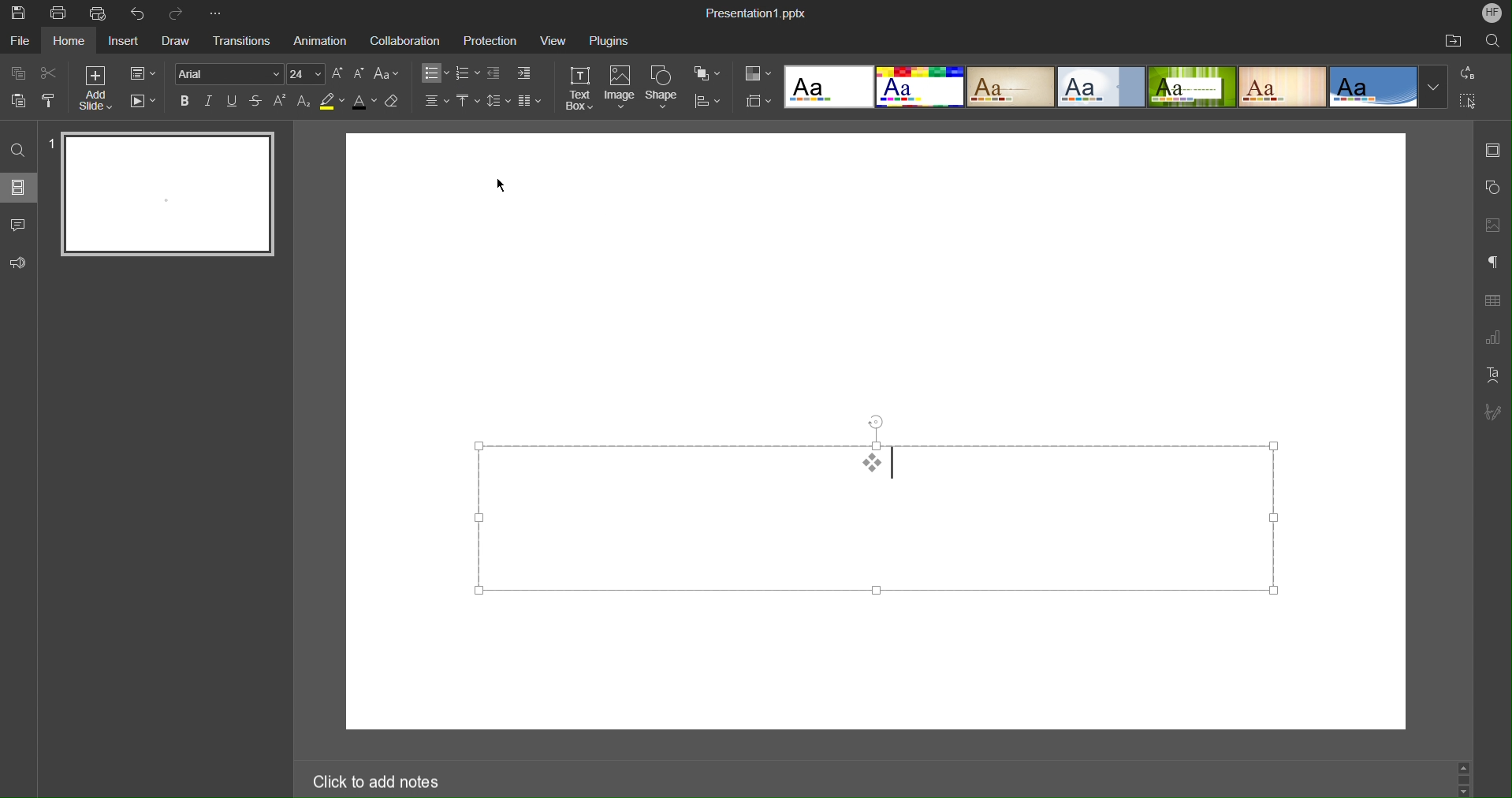 The height and width of the screenshot is (798, 1512). I want to click on Protection, so click(486, 41).